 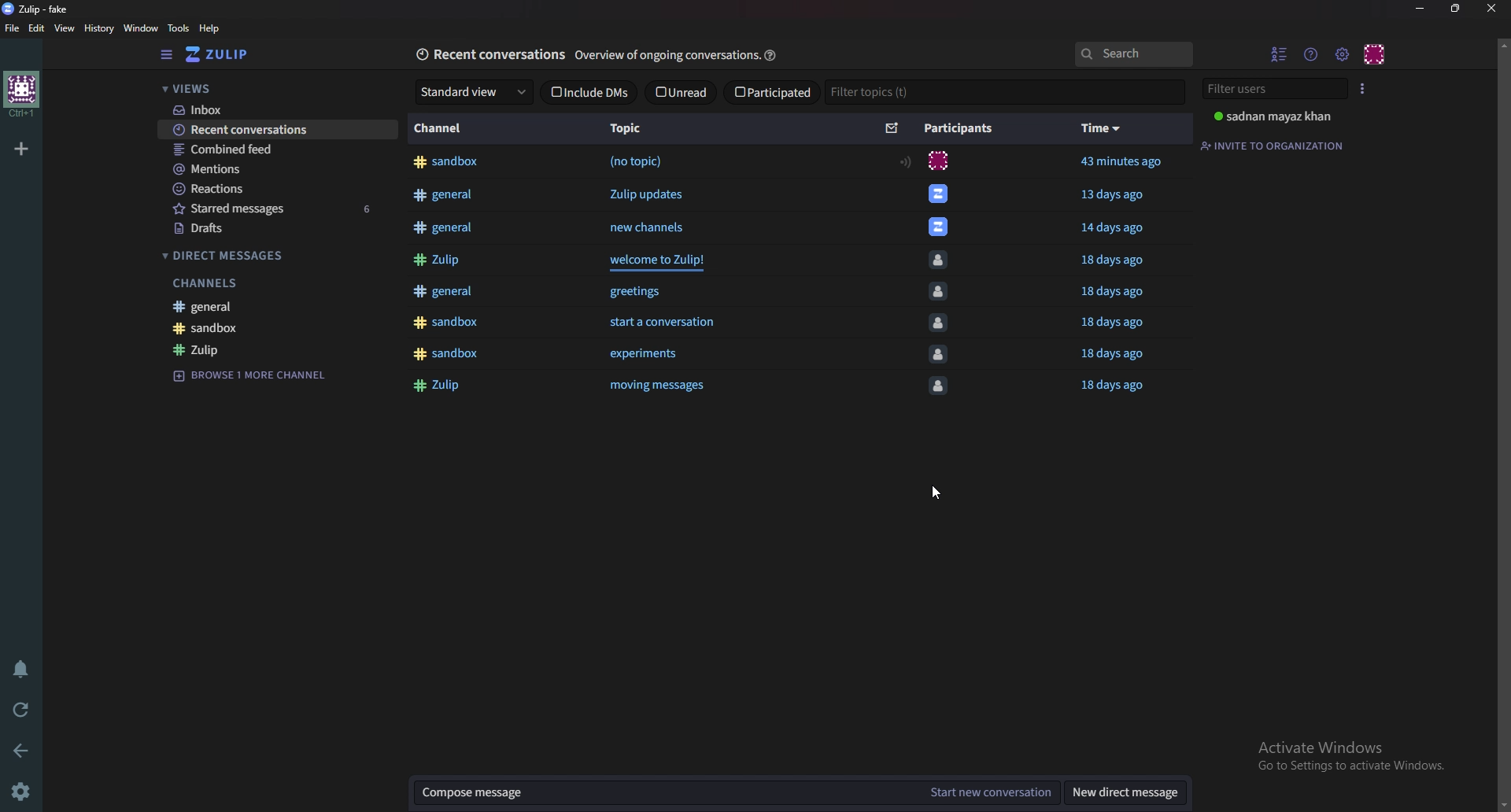 What do you see at coordinates (943, 260) in the screenshot?
I see `icon` at bounding box center [943, 260].